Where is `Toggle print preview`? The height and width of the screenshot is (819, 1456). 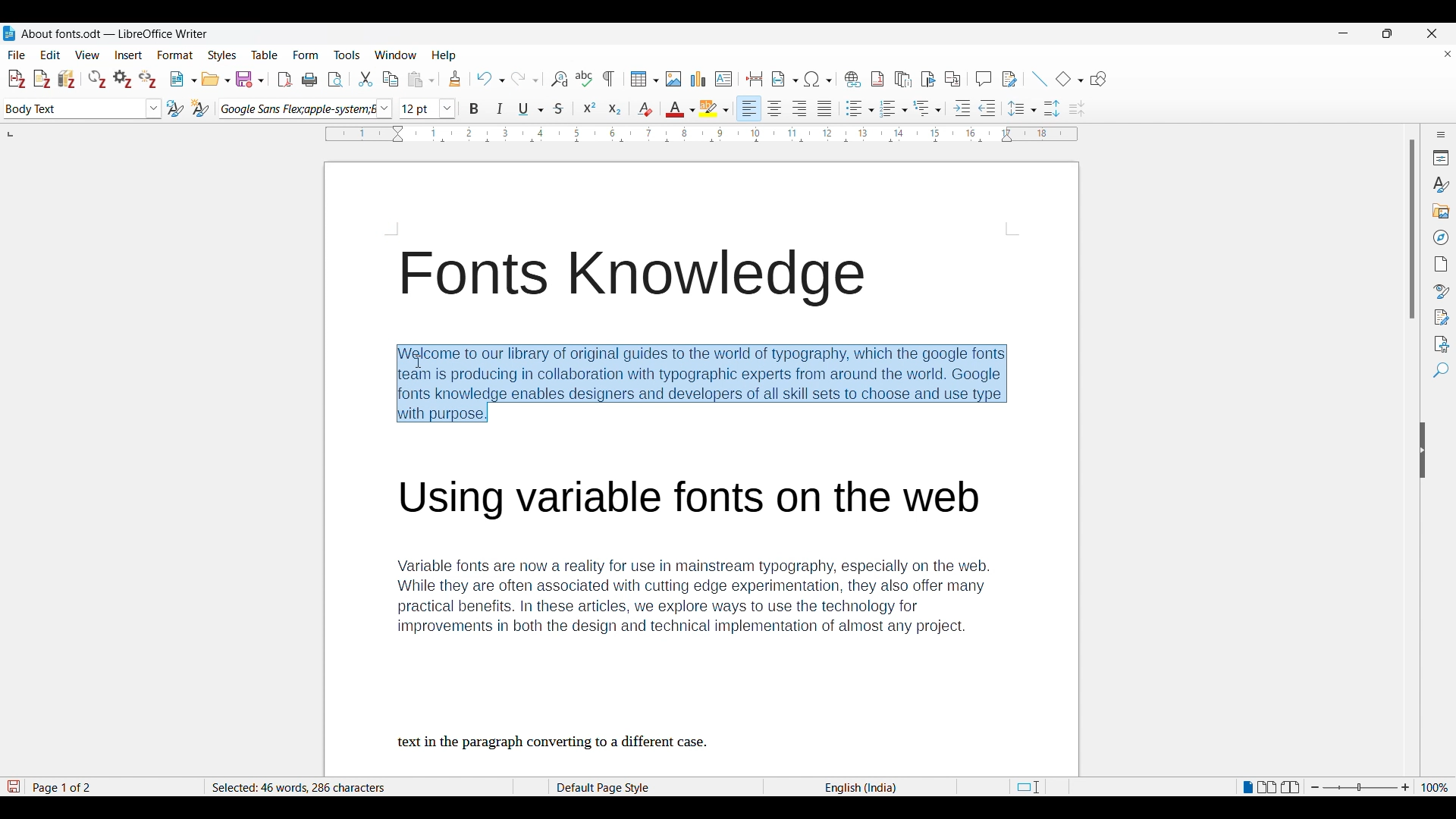
Toggle print preview is located at coordinates (335, 80).